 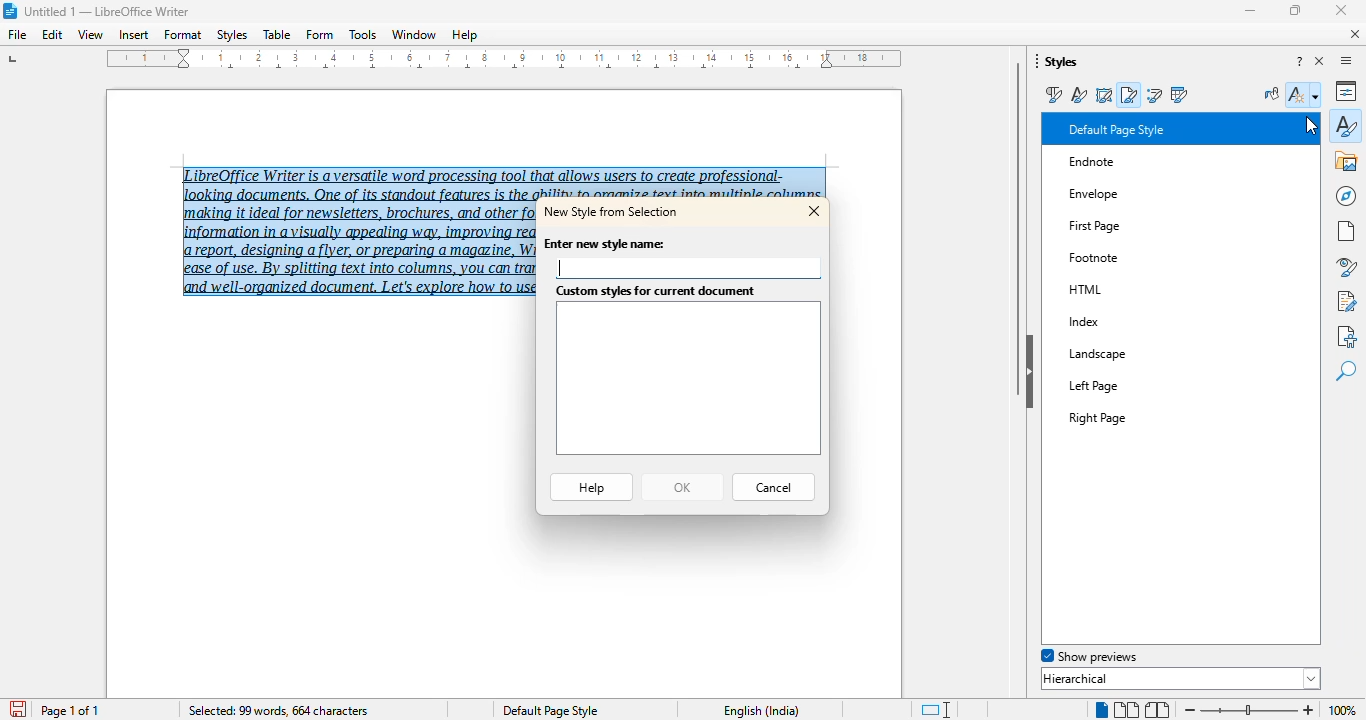 I want to click on manage changes, so click(x=1346, y=301).